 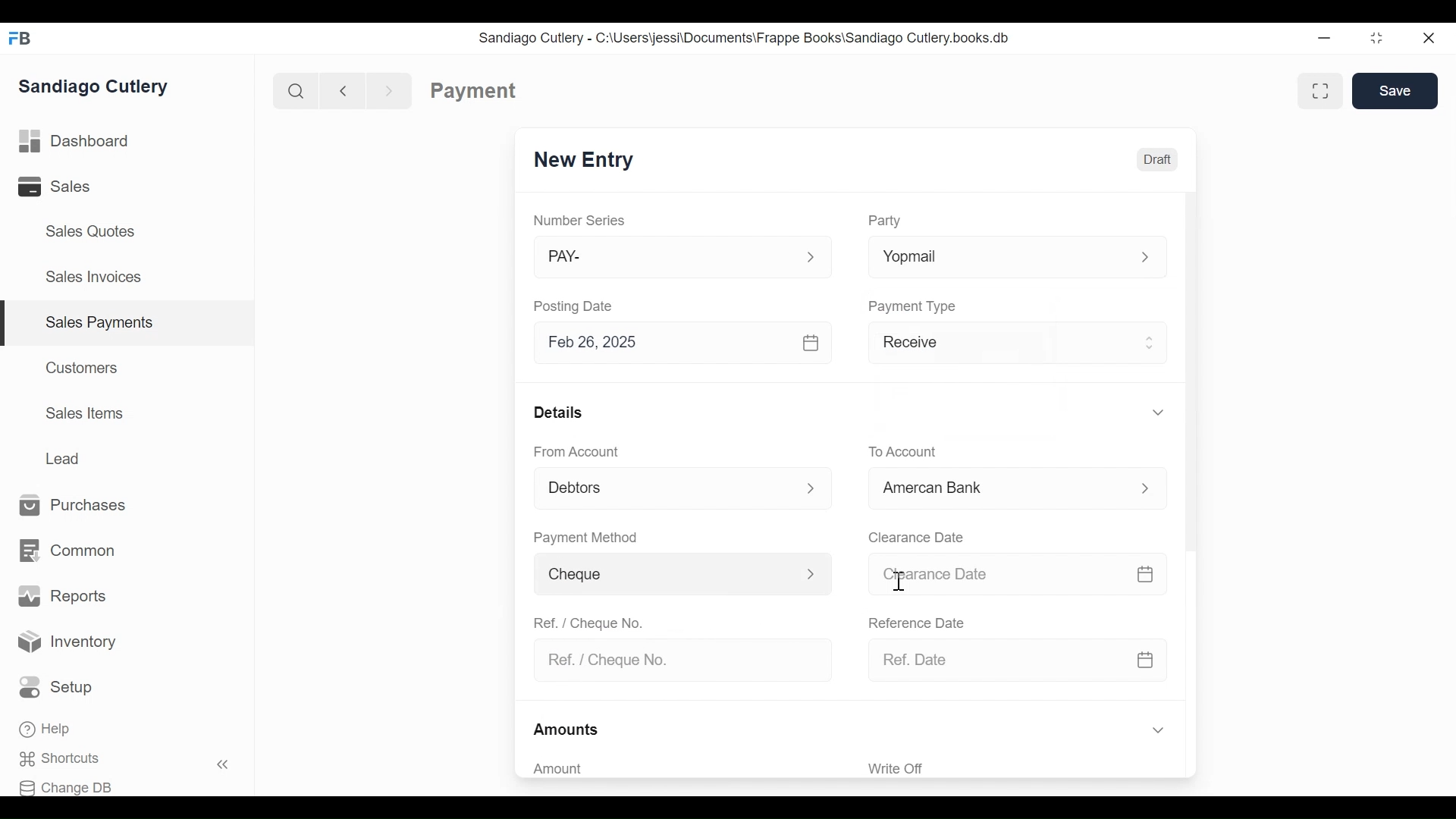 I want to click on | Sales Payments, so click(x=129, y=324).